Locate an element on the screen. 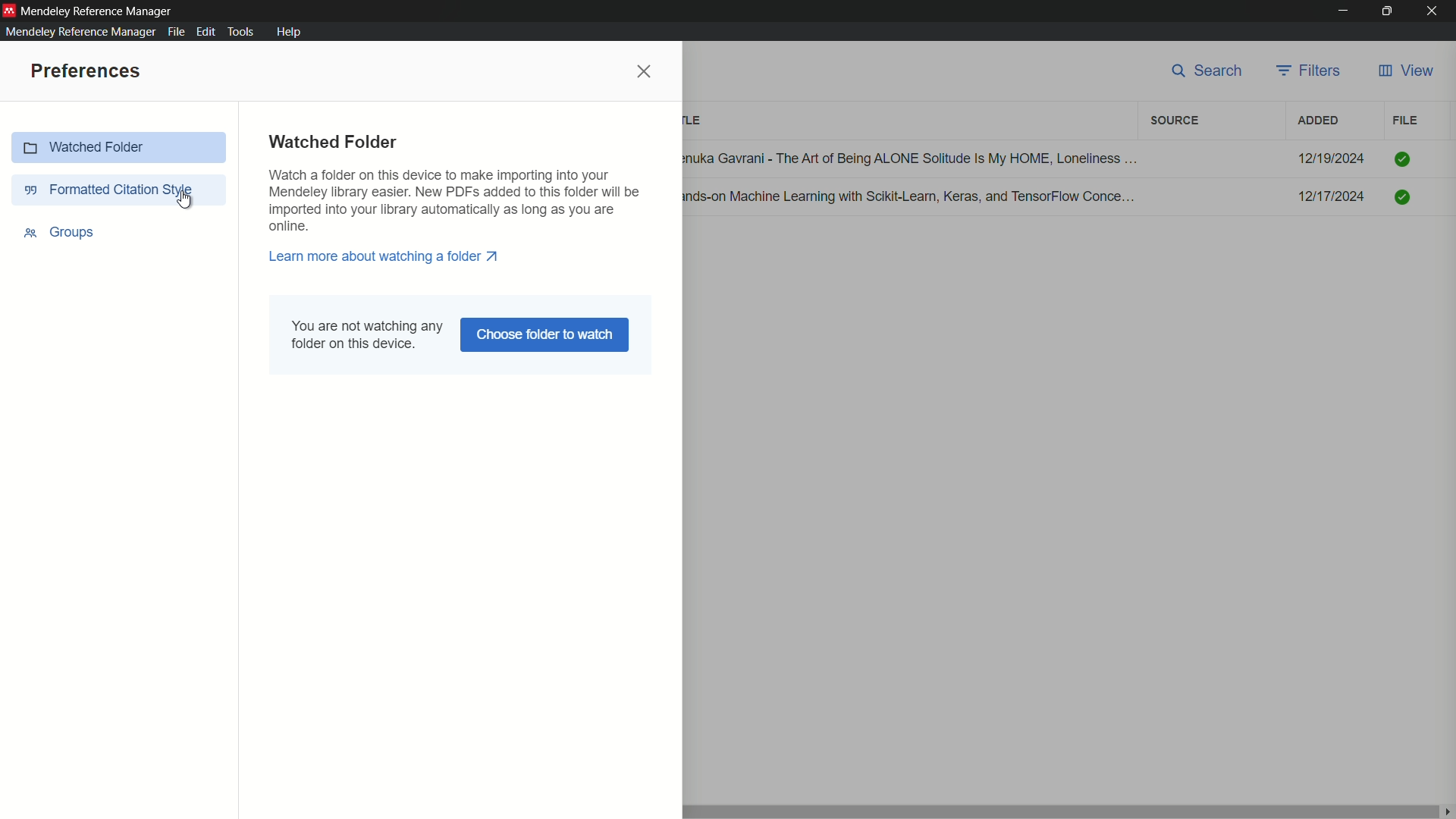 This screenshot has height=819, width=1456. Watch a folder on this device to make importing into your Mendeley library easier. New PDFs added to this folder will be imported into your library automatically as long as you are online is located at coordinates (464, 199).